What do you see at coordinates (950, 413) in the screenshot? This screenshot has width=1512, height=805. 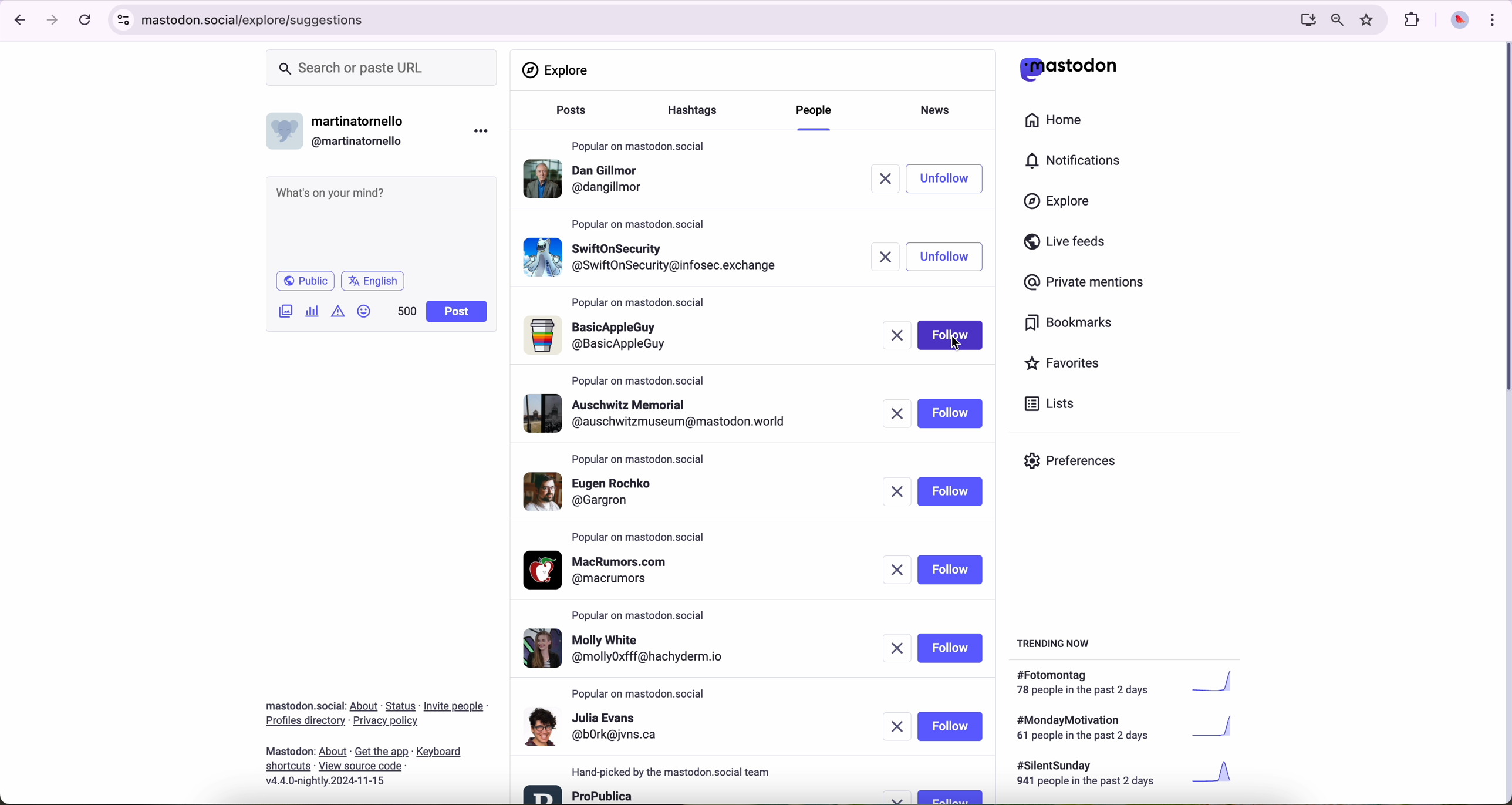 I see `follow button` at bounding box center [950, 413].